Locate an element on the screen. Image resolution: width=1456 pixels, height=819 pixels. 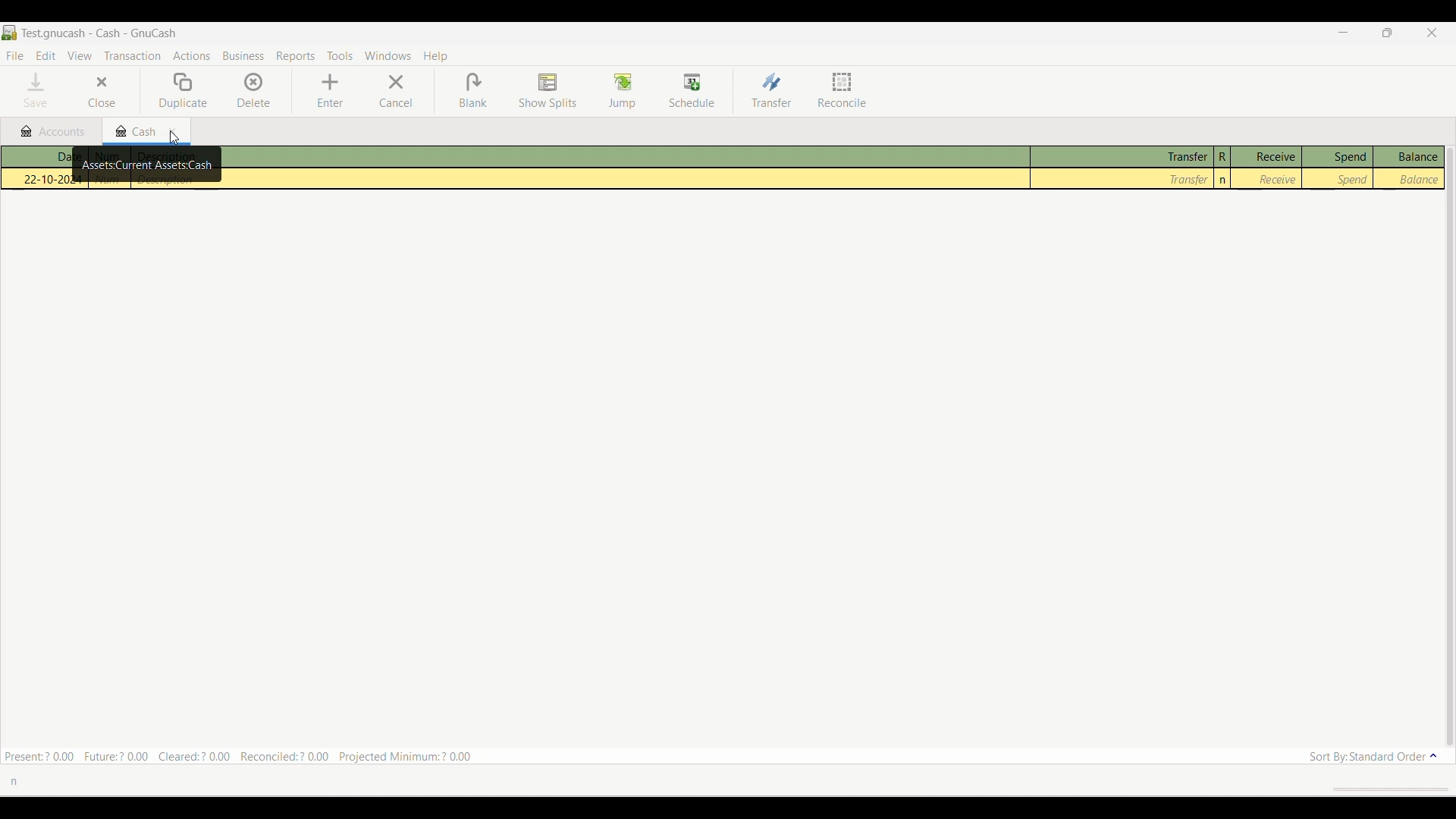
Show interface in a smaller tab is located at coordinates (1386, 33).